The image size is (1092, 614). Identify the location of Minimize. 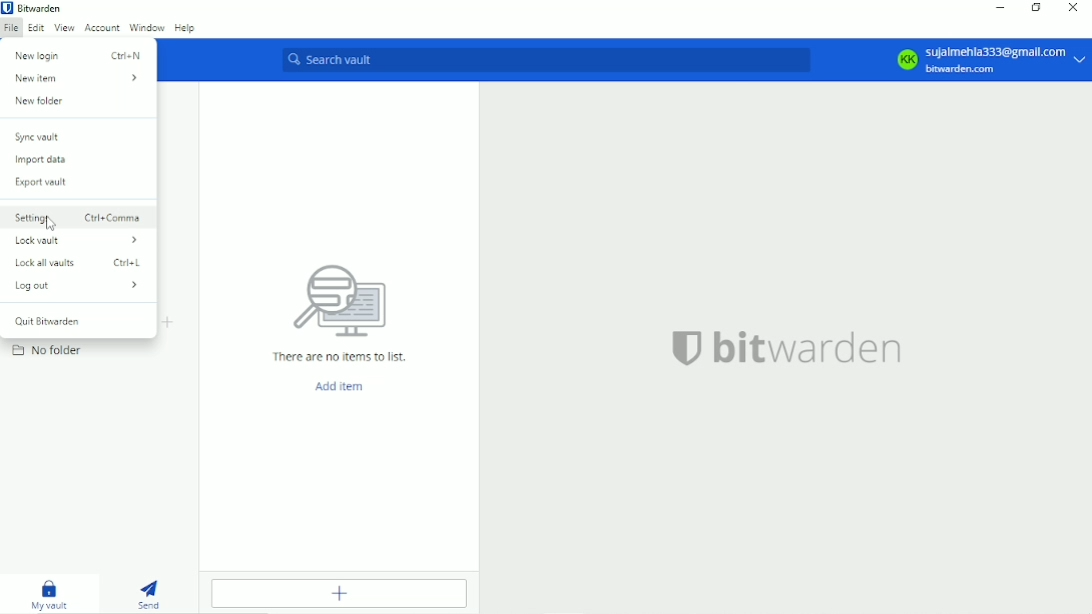
(1000, 8).